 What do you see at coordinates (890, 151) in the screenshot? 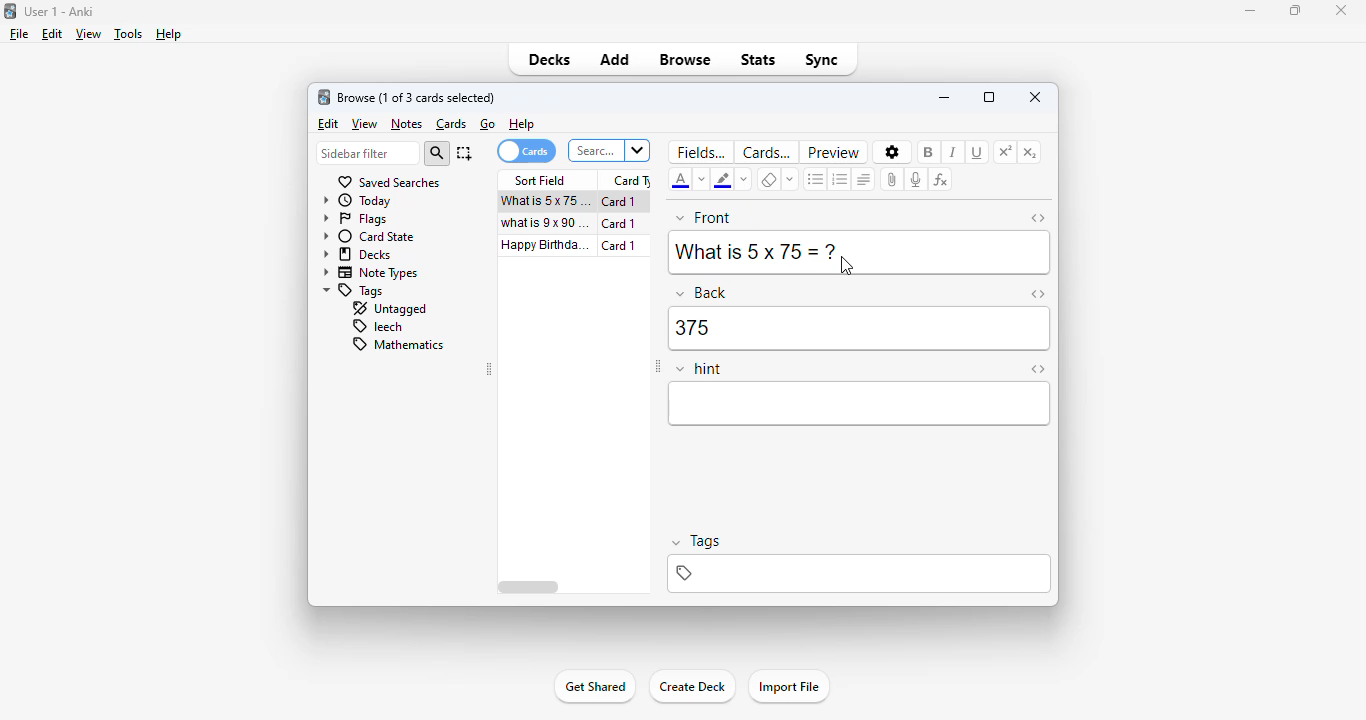
I see `options` at bounding box center [890, 151].